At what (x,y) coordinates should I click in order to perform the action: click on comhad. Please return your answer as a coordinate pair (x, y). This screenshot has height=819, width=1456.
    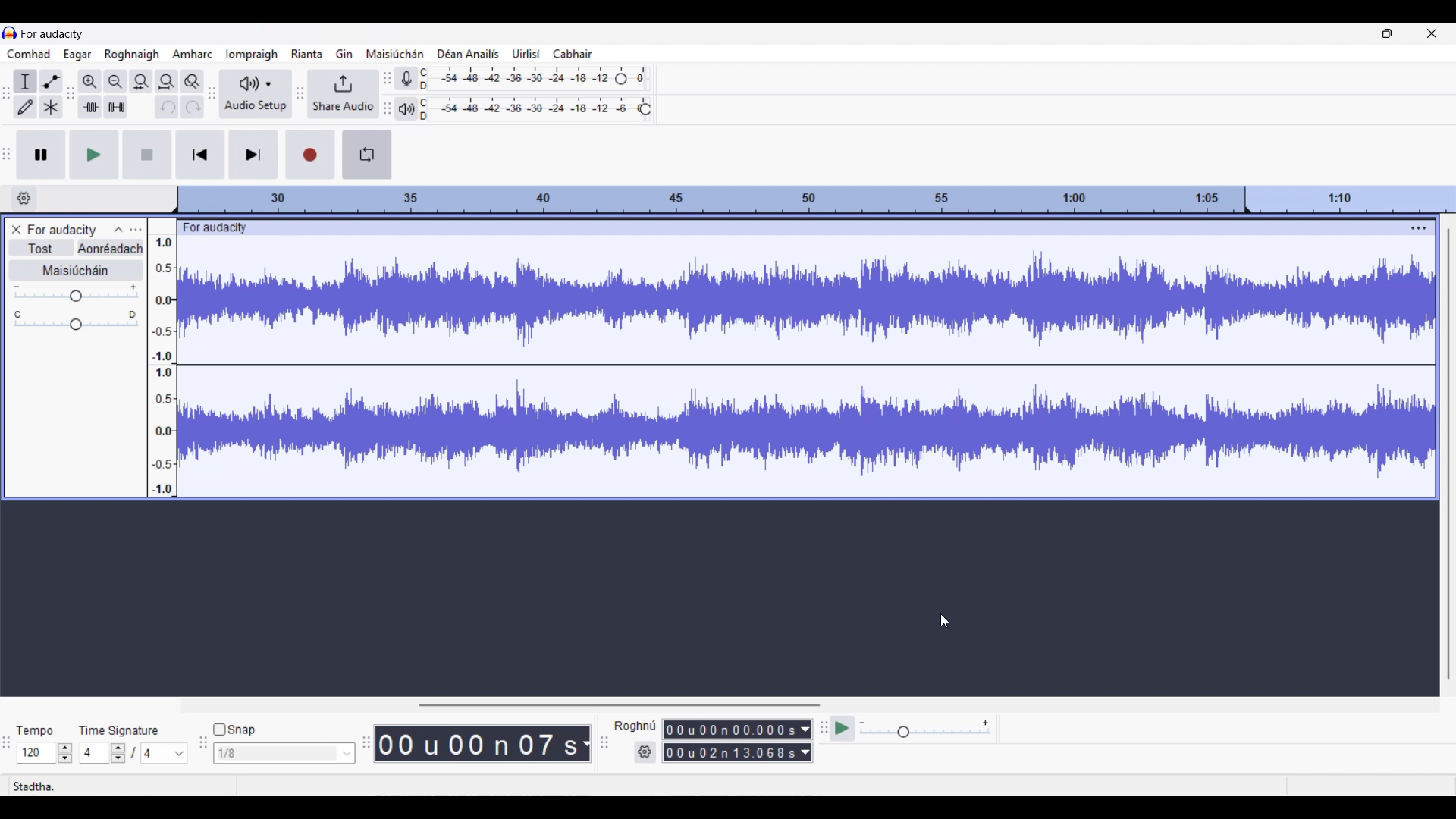
    Looking at the image, I should click on (28, 53).